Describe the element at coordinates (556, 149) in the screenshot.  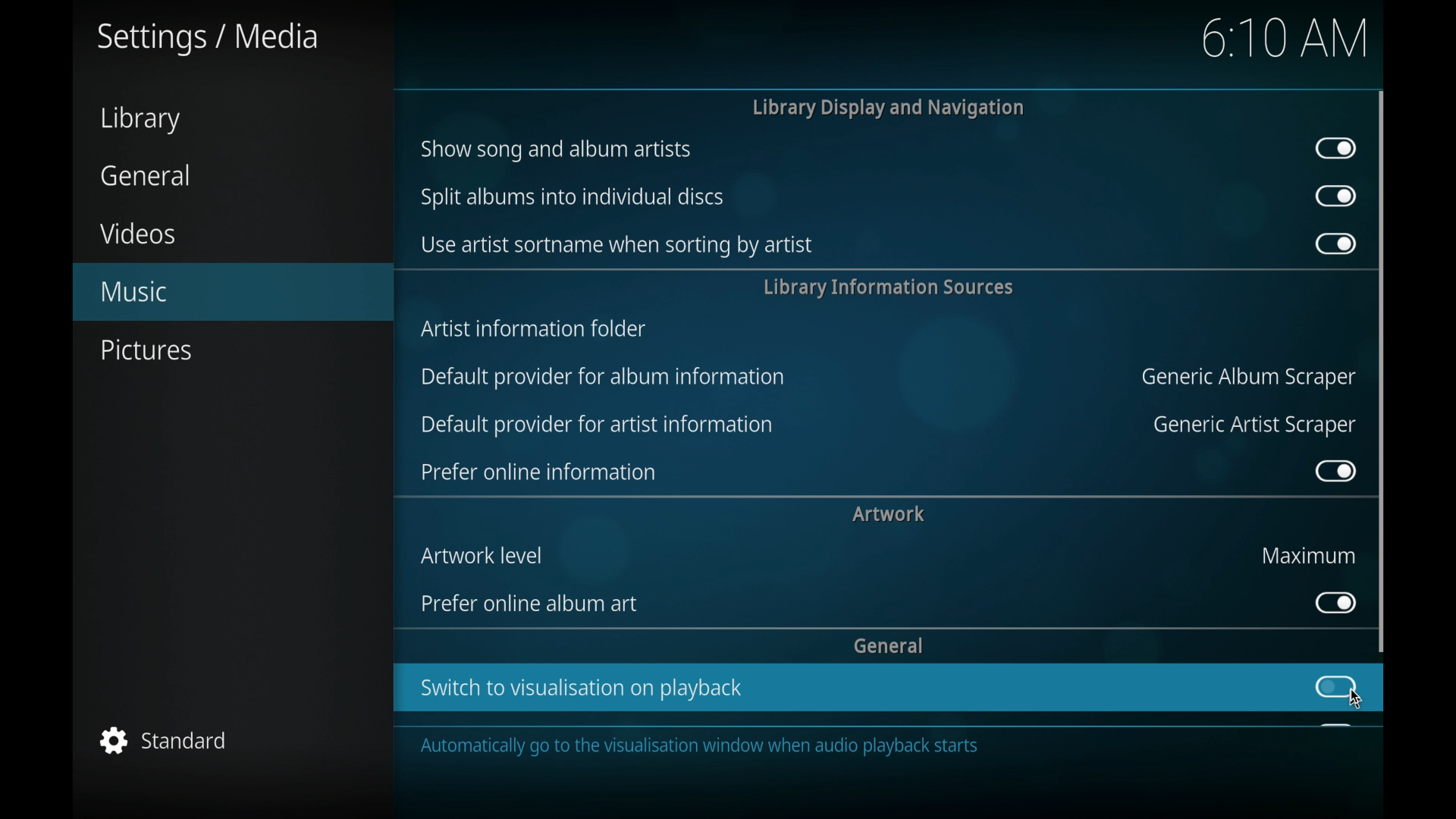
I see `show song` at that location.